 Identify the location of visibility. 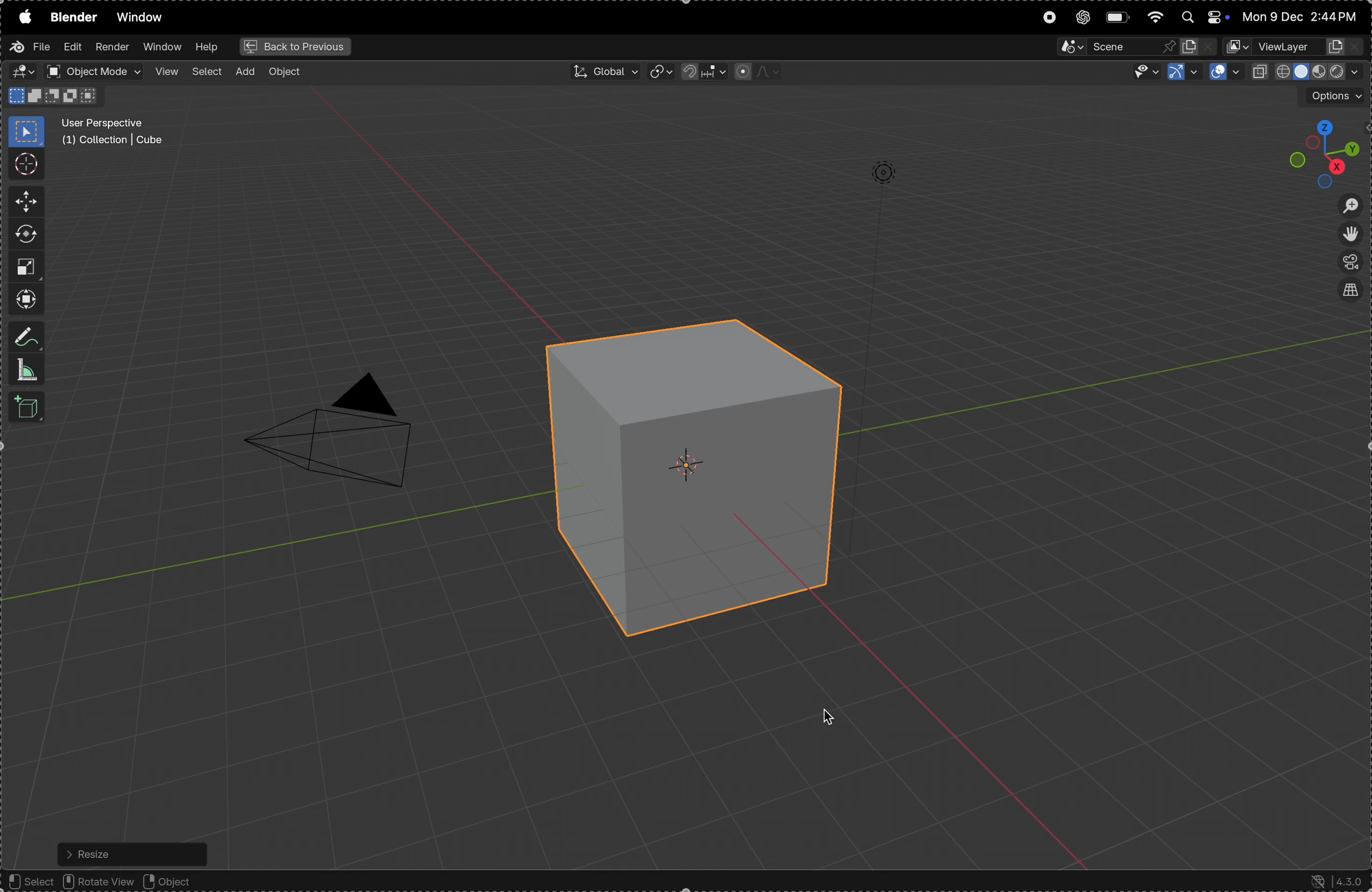
(1145, 73).